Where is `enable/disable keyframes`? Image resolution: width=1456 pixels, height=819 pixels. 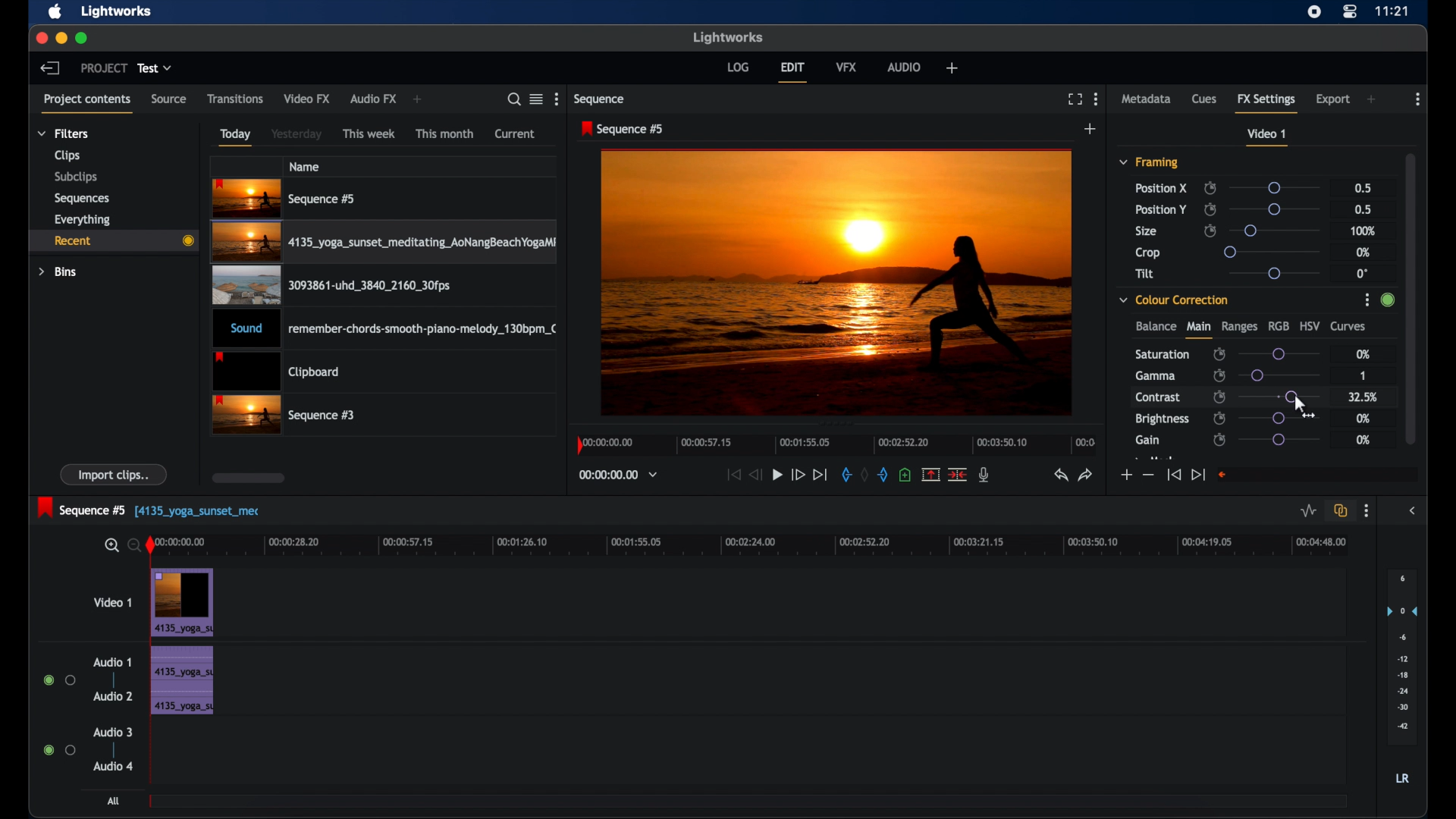
enable/disable keyframes is located at coordinates (1220, 375).